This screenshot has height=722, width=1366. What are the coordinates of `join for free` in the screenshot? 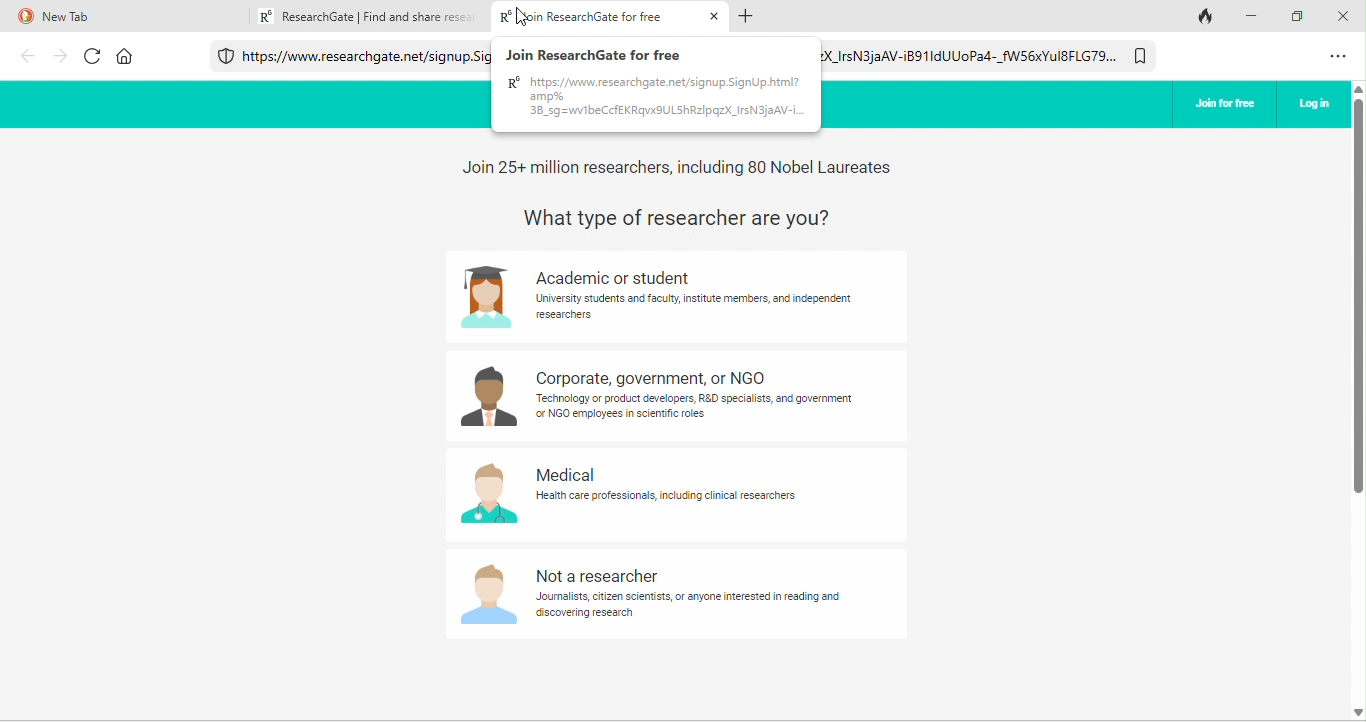 It's located at (1224, 100).